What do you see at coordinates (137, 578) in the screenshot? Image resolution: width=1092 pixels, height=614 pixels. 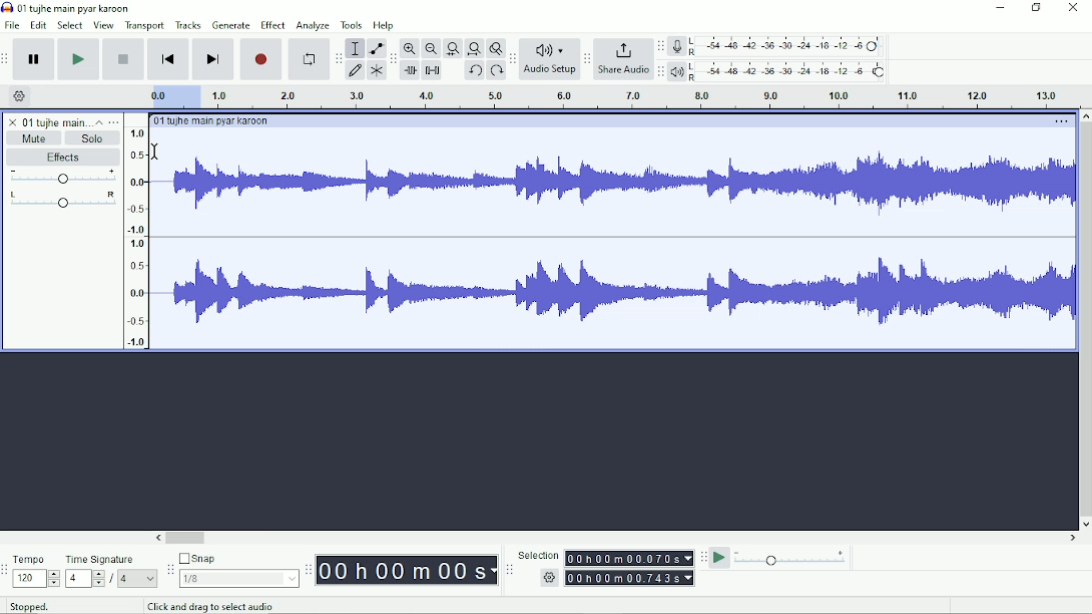 I see `4` at bounding box center [137, 578].